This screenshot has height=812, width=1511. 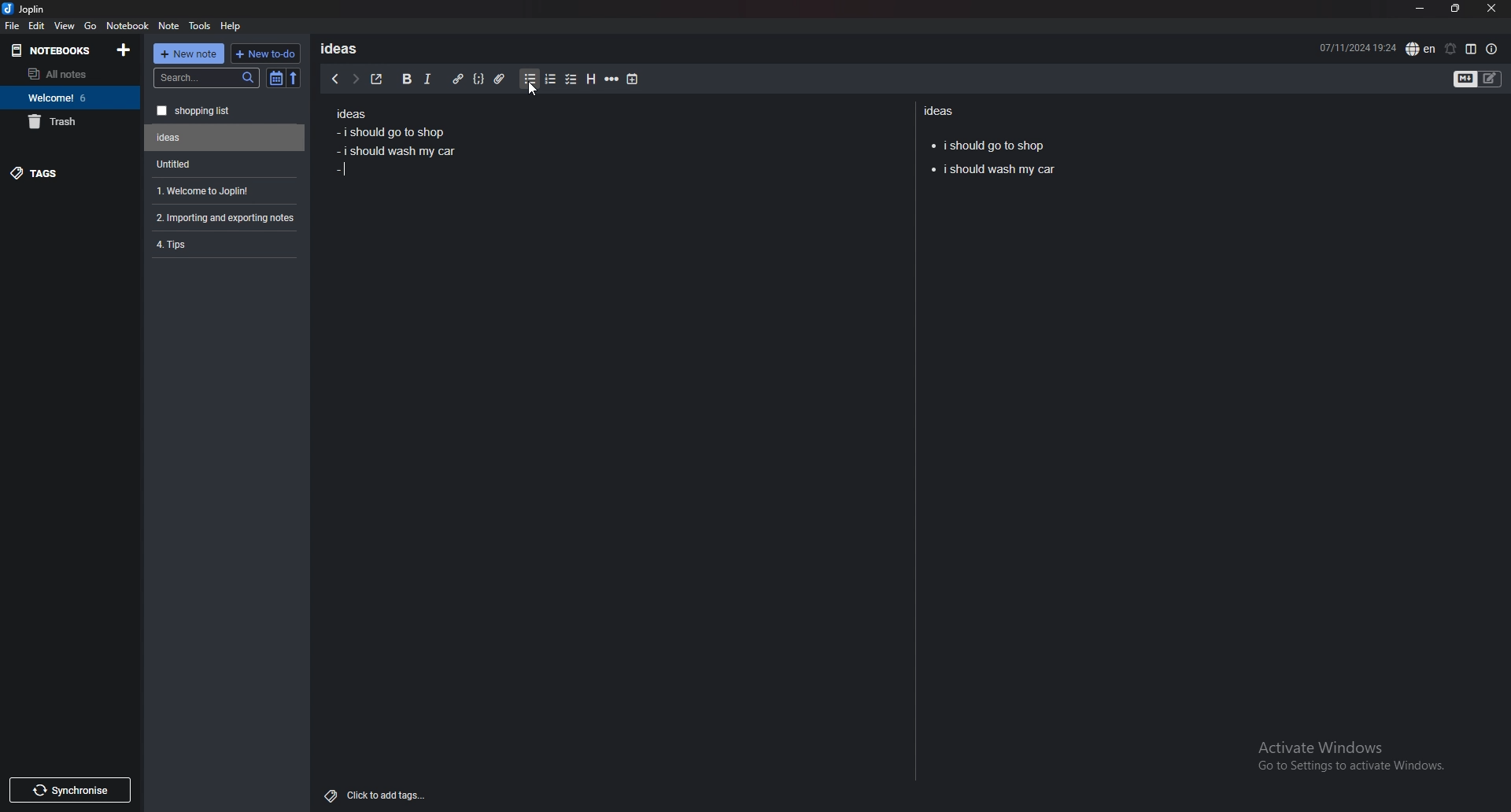 I want to click on ideas, so click(x=943, y=110).